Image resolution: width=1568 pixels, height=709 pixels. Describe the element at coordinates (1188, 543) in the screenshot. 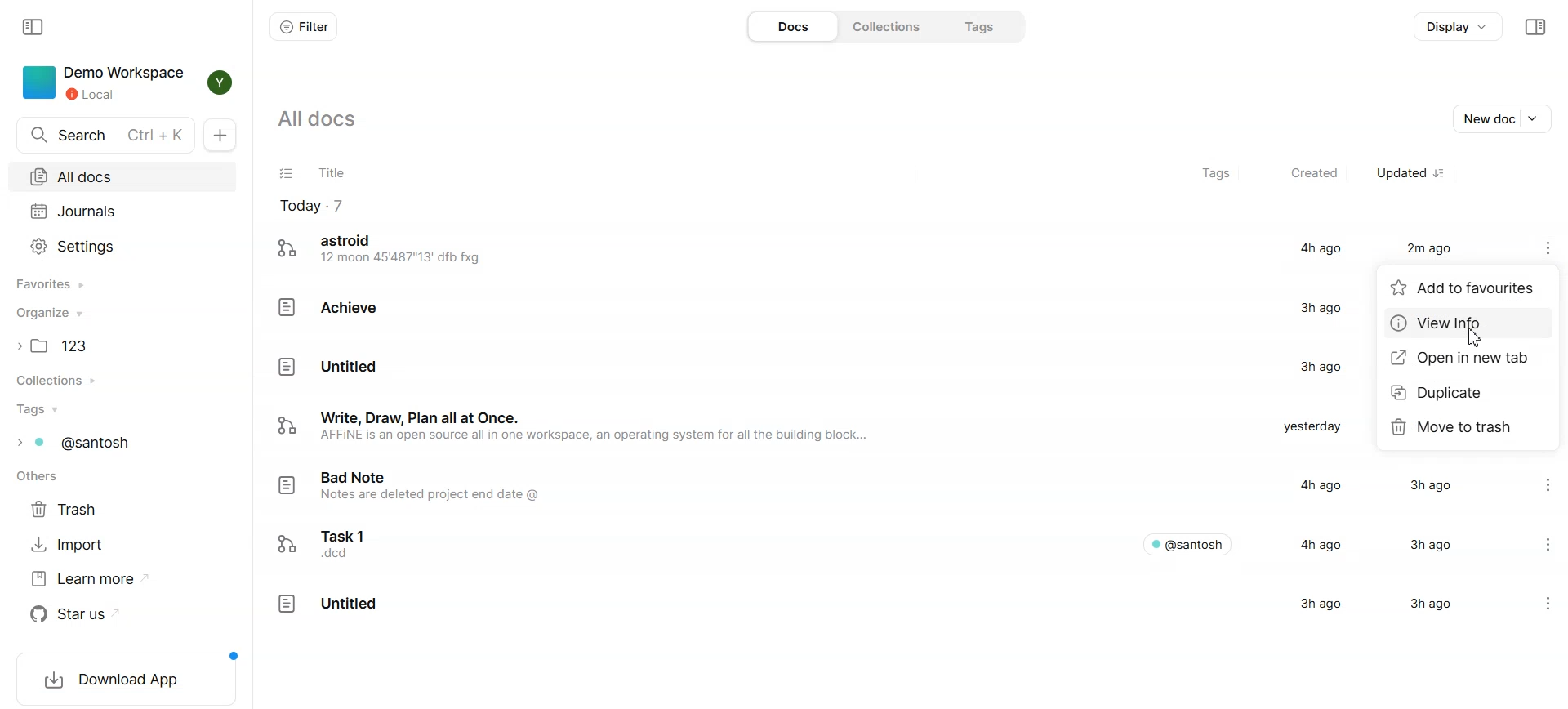

I see `© @santosh` at that location.